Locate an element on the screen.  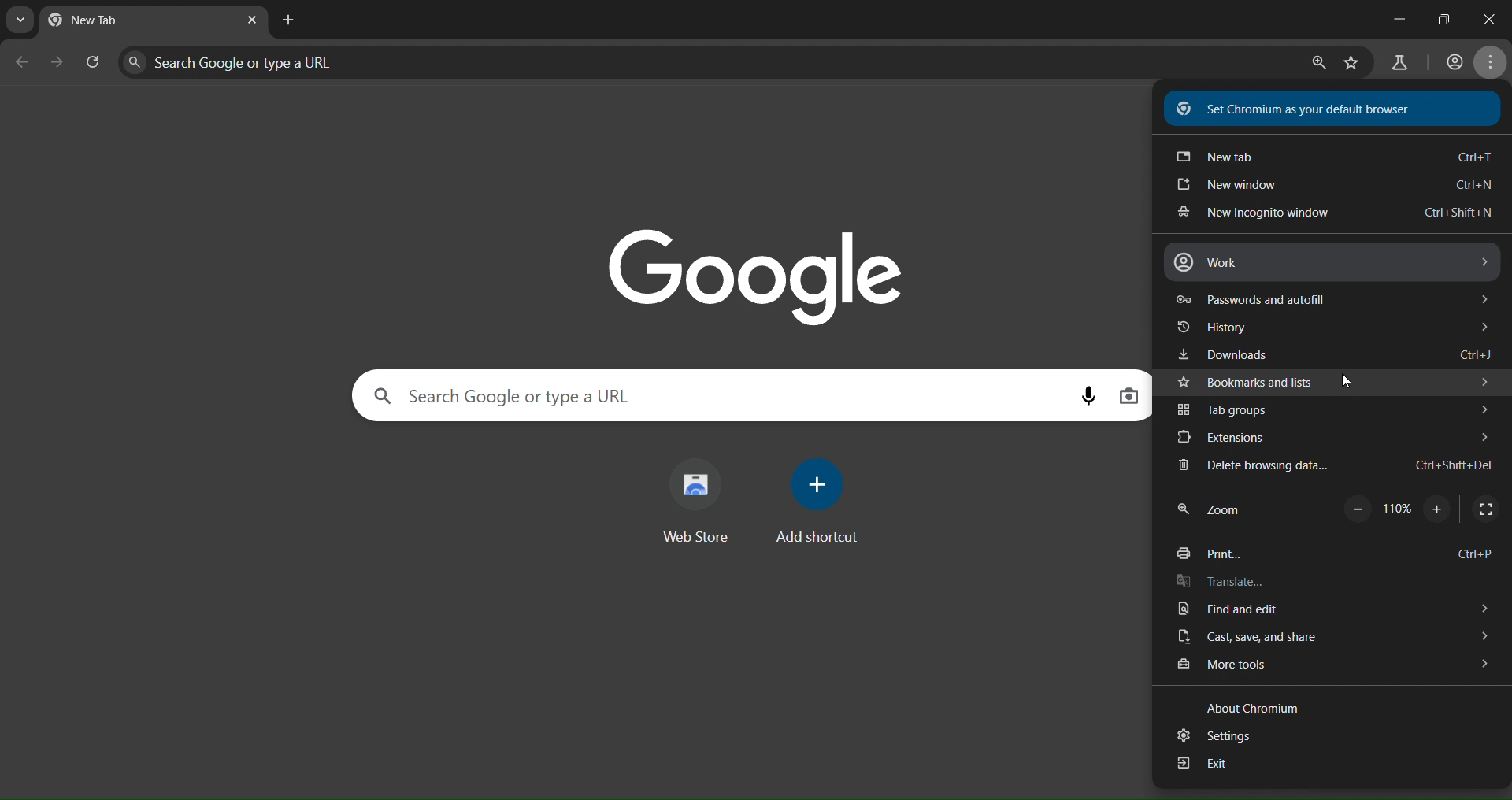
extensions is located at coordinates (1334, 436).